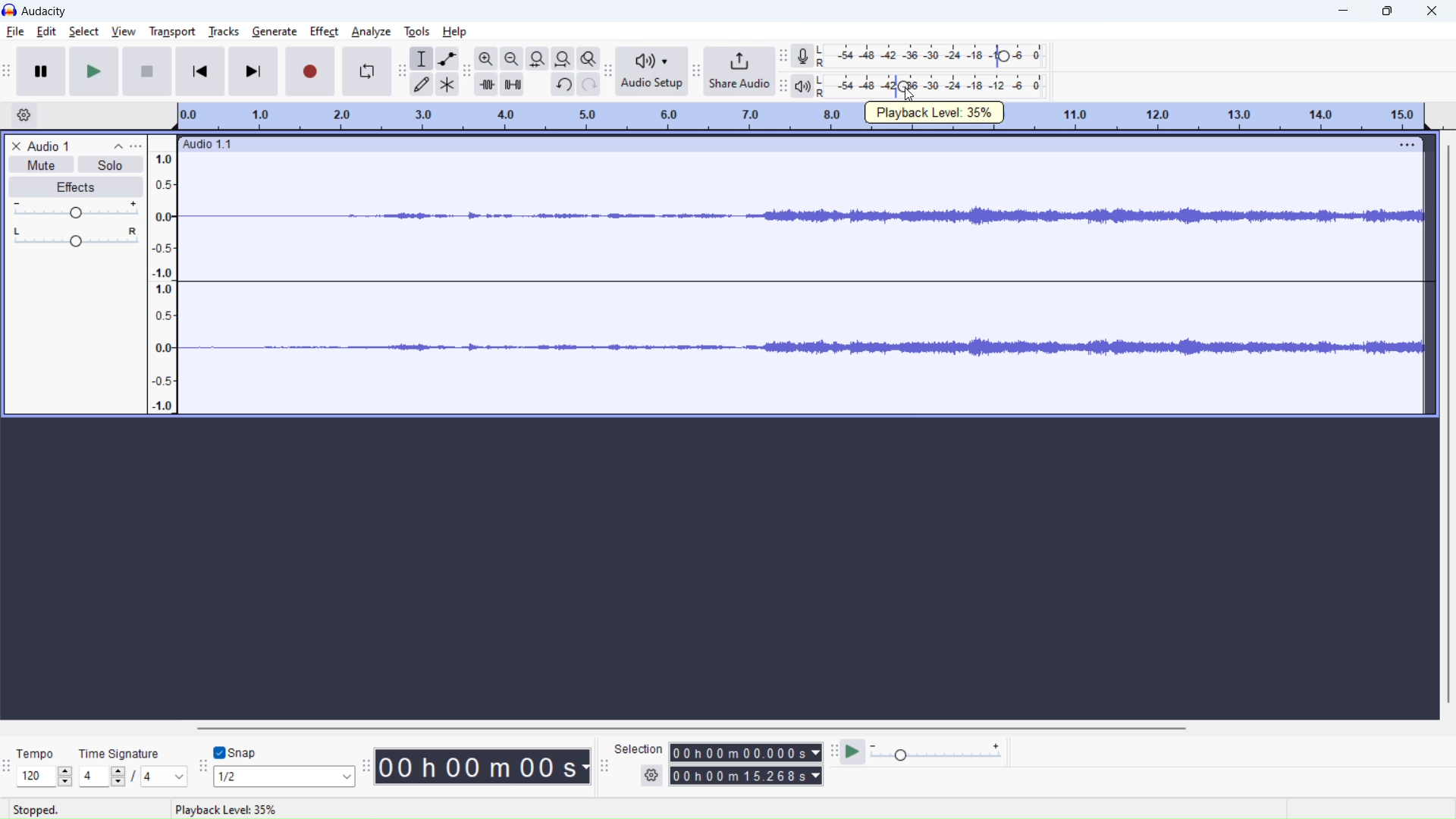 The image size is (1456, 819). I want to click on play at speed toolbar, so click(833, 752).